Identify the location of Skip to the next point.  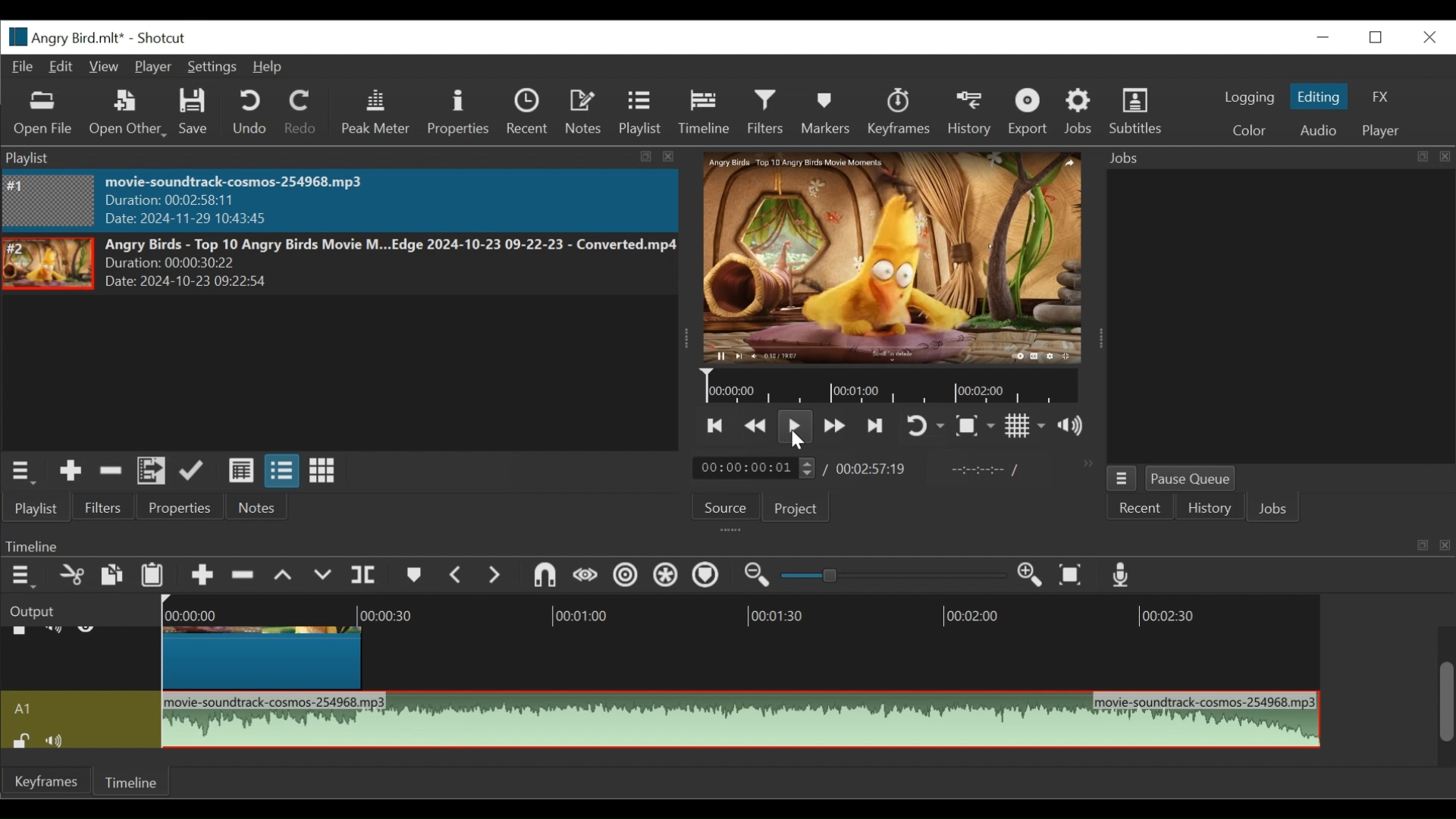
(717, 426).